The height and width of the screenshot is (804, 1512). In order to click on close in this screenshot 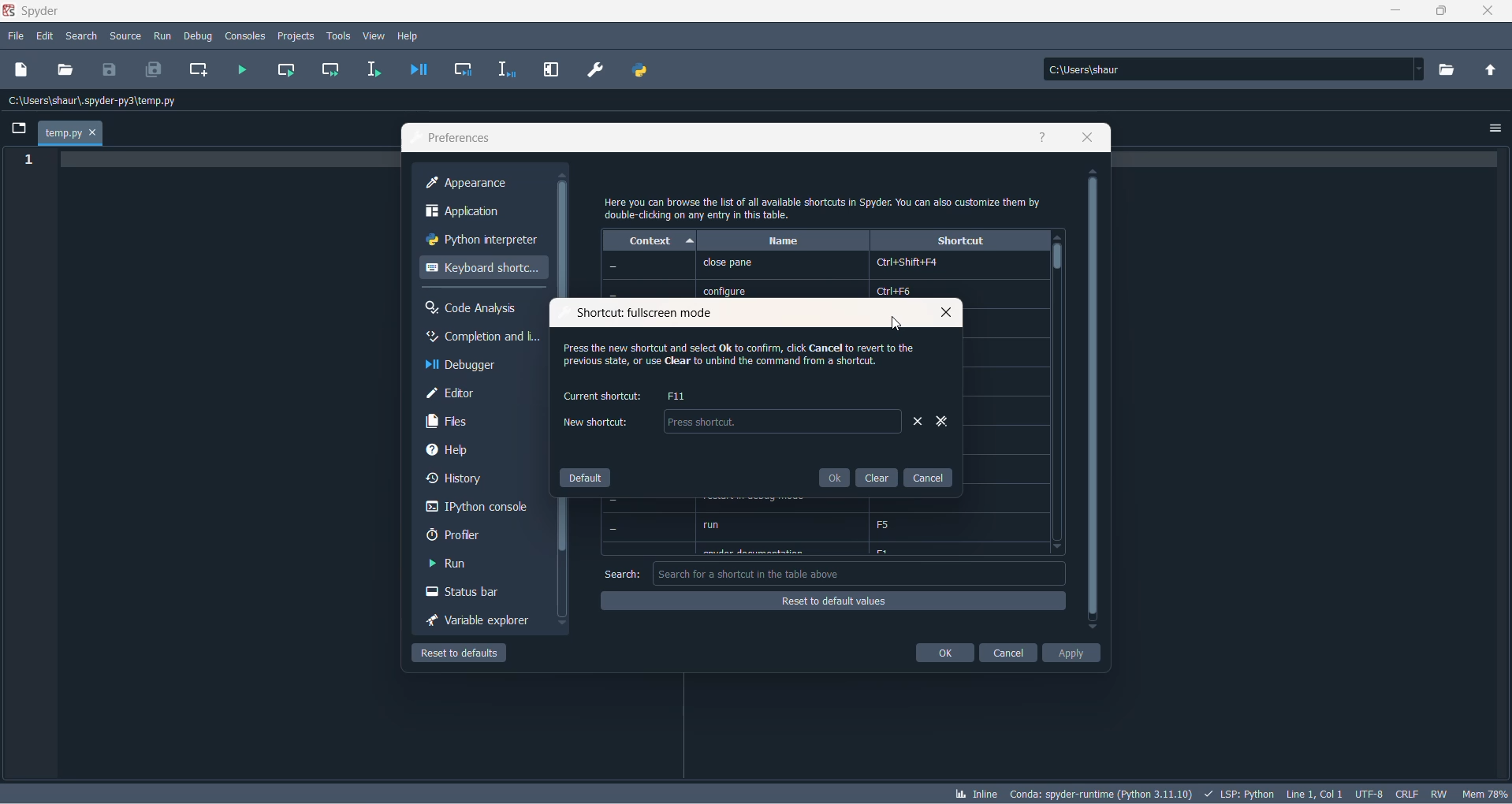, I will do `click(1089, 139)`.